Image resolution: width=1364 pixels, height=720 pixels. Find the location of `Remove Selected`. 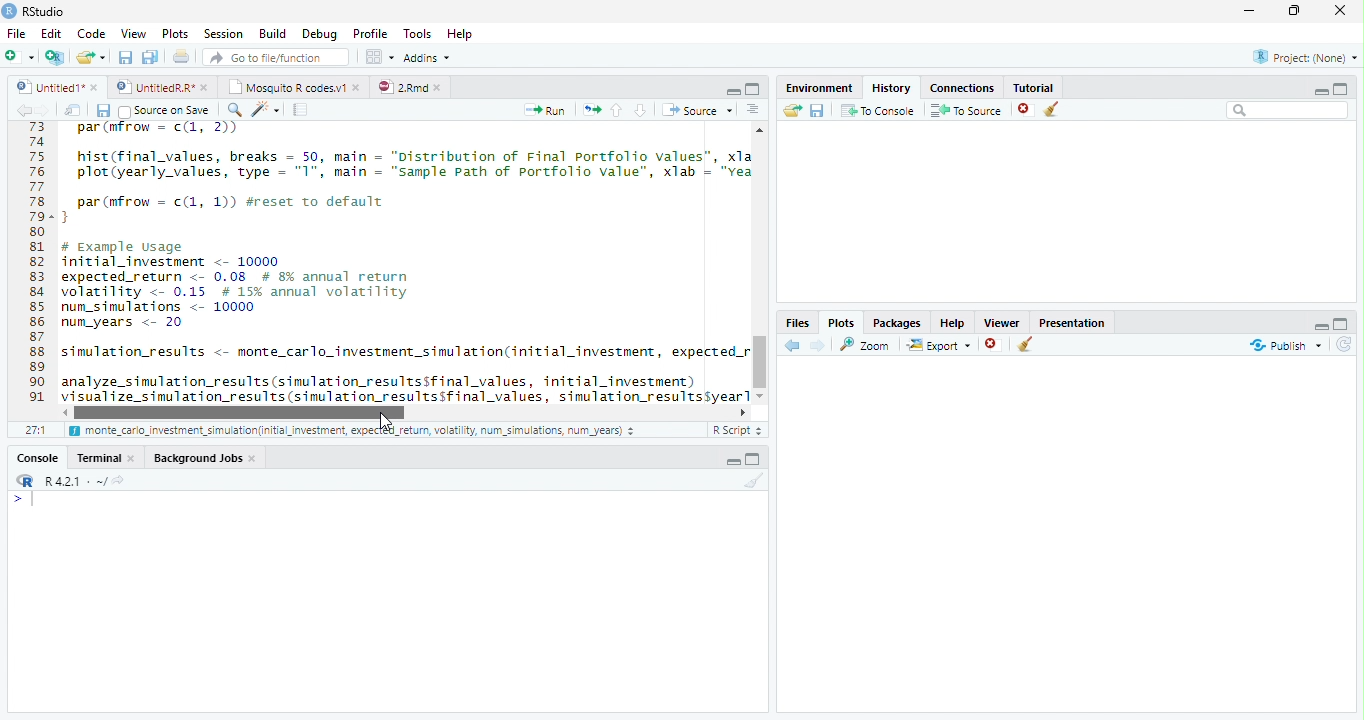

Remove Selected is located at coordinates (1027, 109).